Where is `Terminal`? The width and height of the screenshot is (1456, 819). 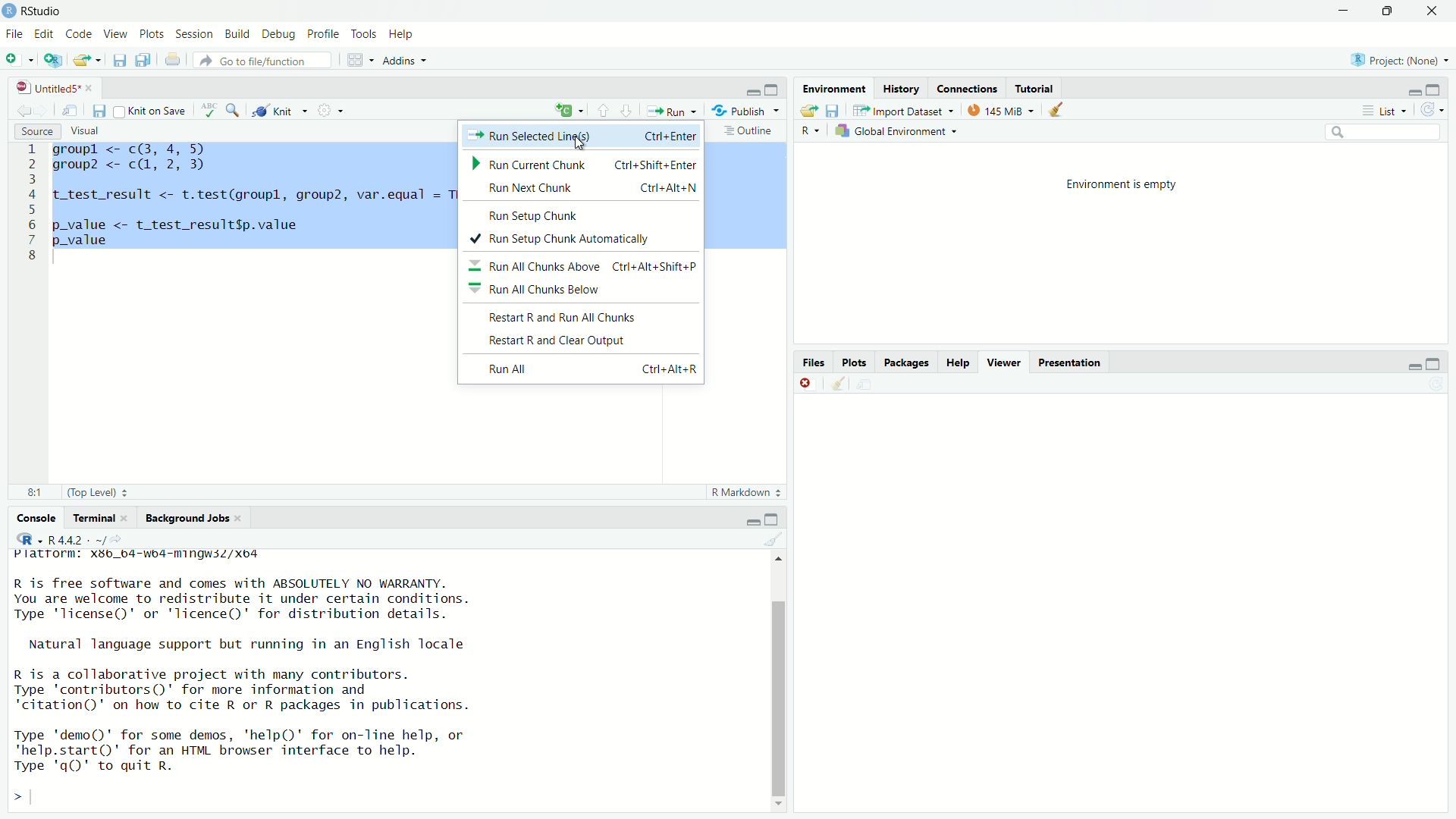
Terminal is located at coordinates (98, 517).